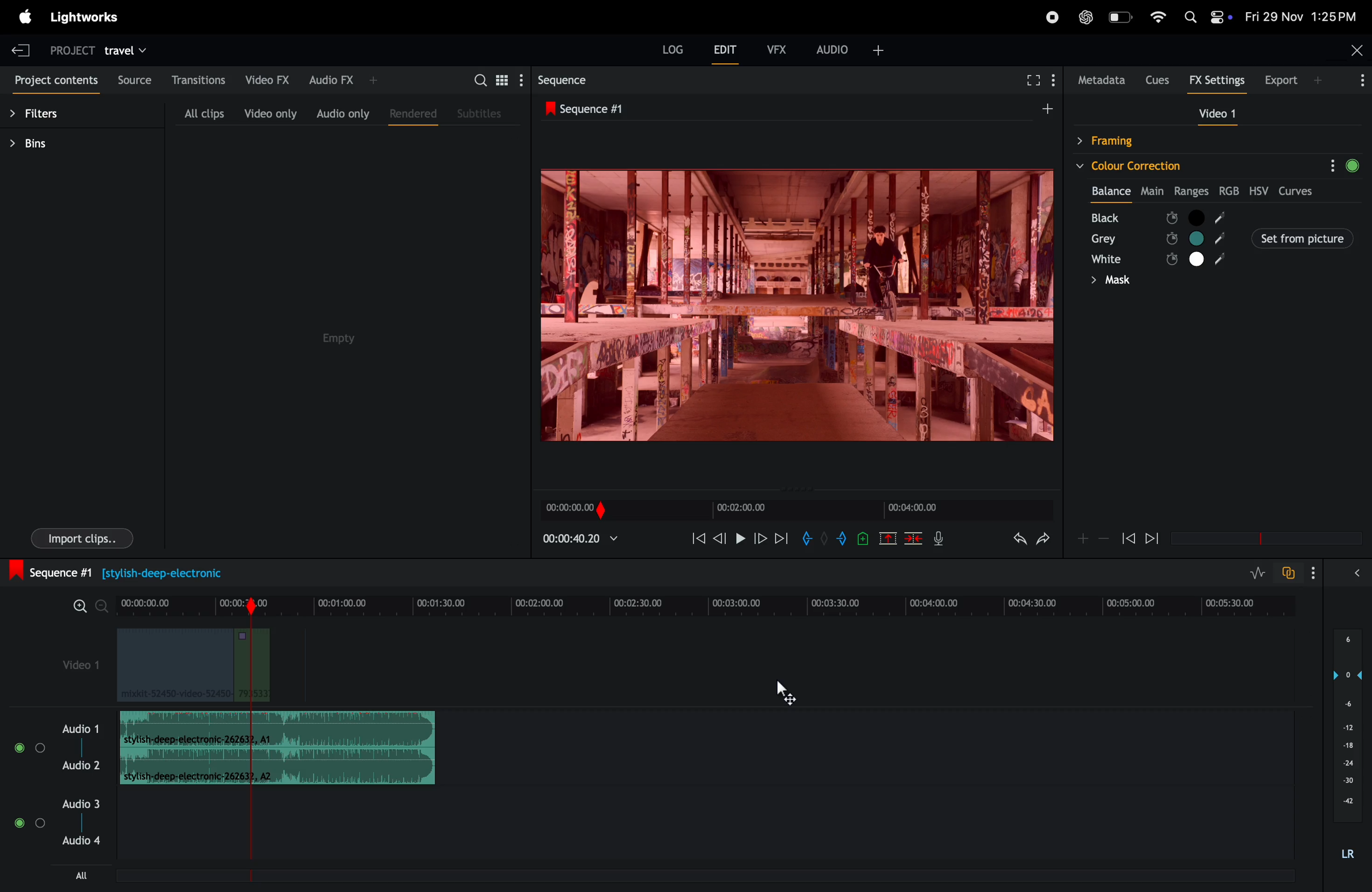 Image resolution: width=1372 pixels, height=892 pixels. I want to click on battery, so click(1121, 17).